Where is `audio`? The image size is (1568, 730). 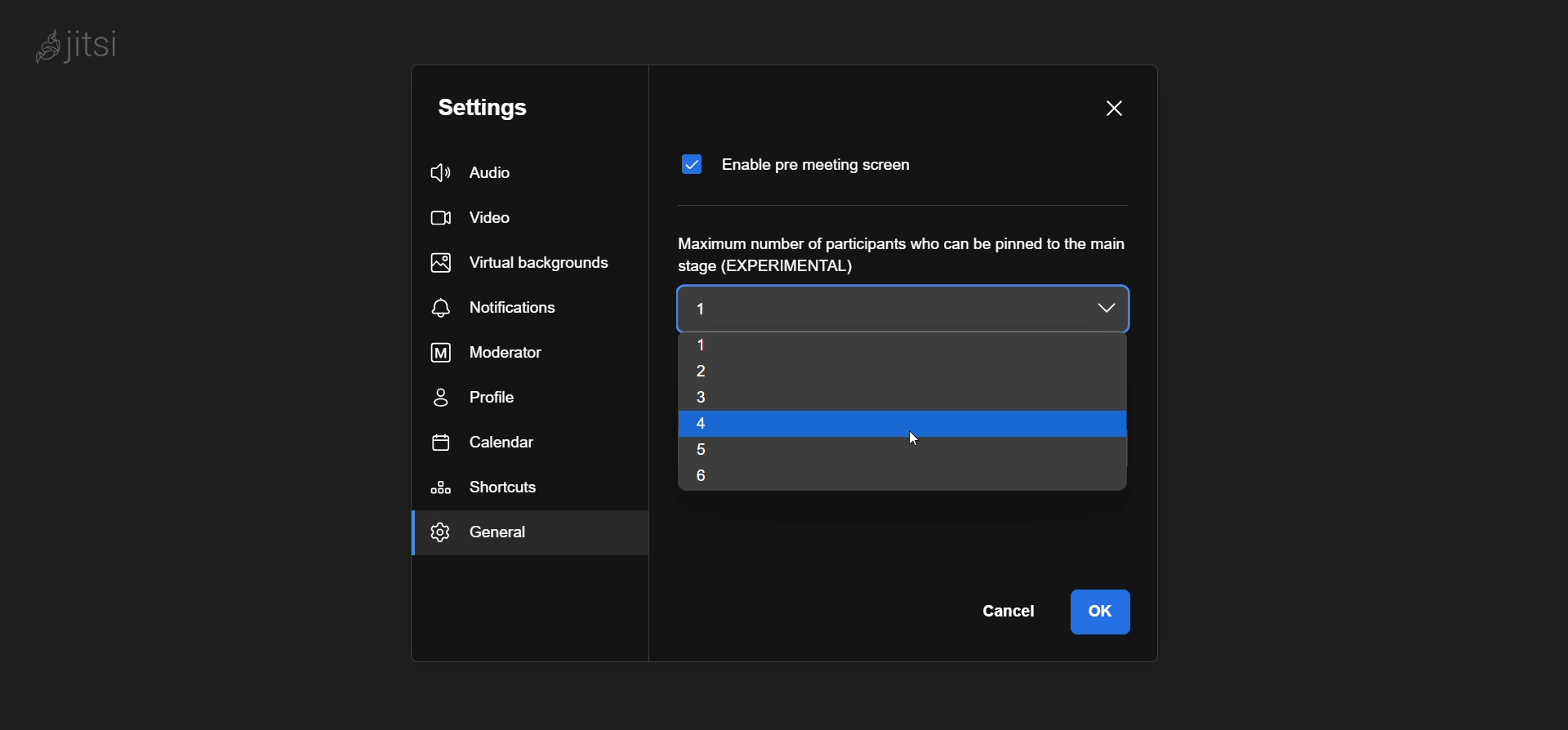 audio is located at coordinates (474, 174).